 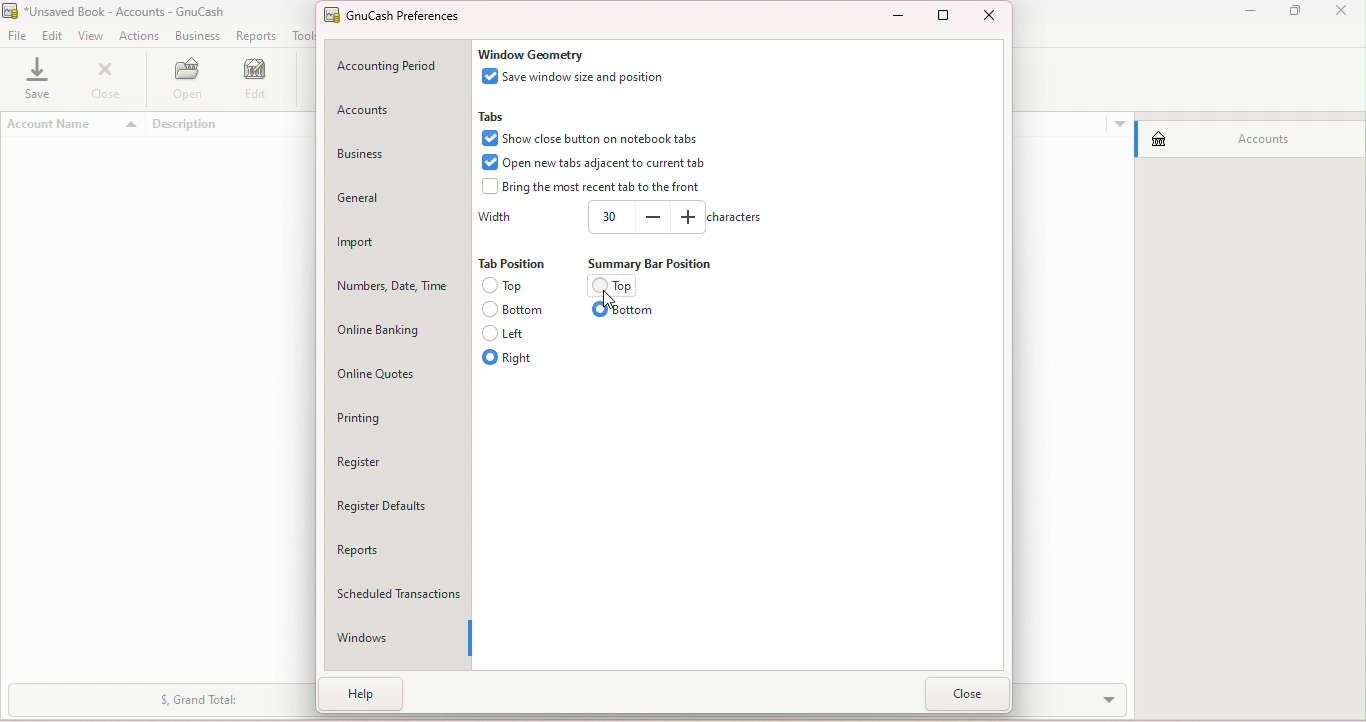 What do you see at coordinates (231, 125) in the screenshot?
I see `Description` at bounding box center [231, 125].